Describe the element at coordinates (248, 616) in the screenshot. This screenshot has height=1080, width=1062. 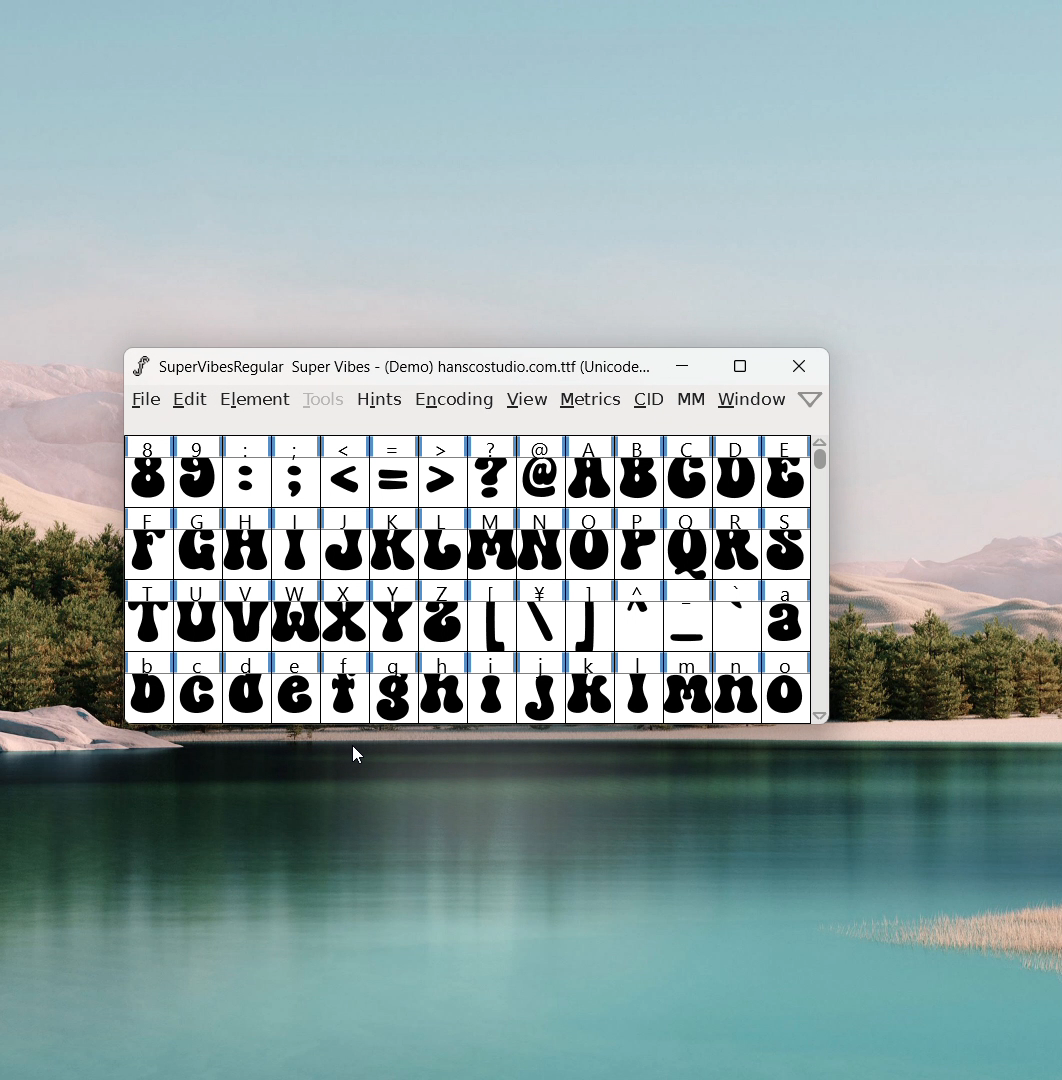
I see `V` at that location.